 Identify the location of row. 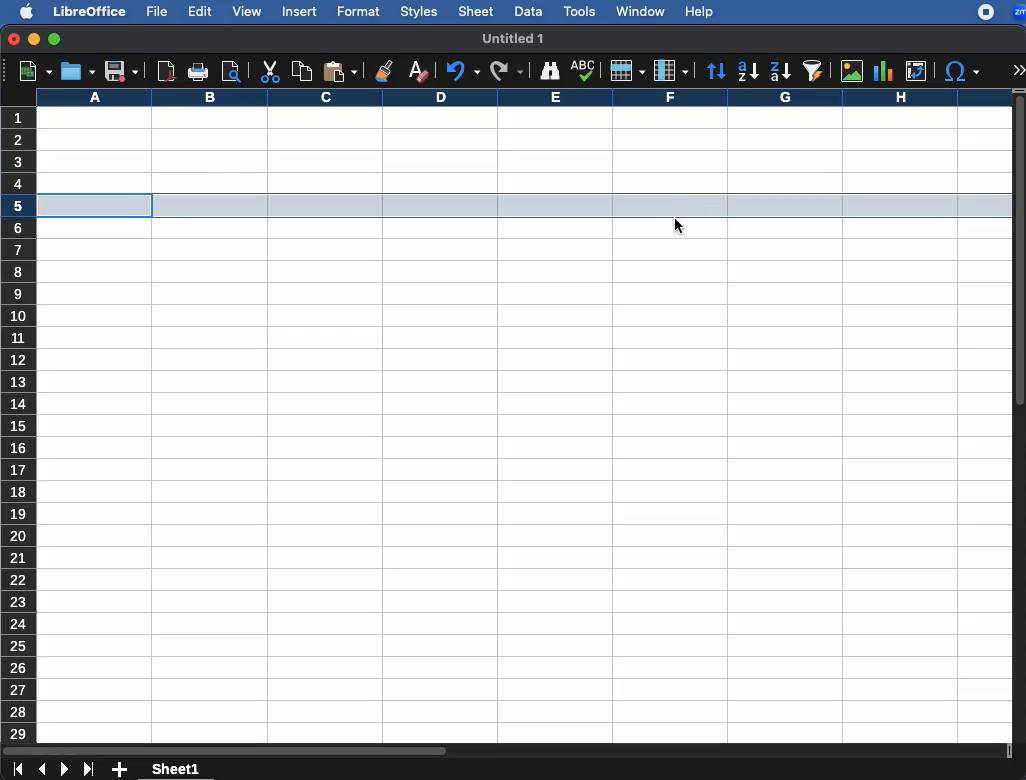
(626, 72).